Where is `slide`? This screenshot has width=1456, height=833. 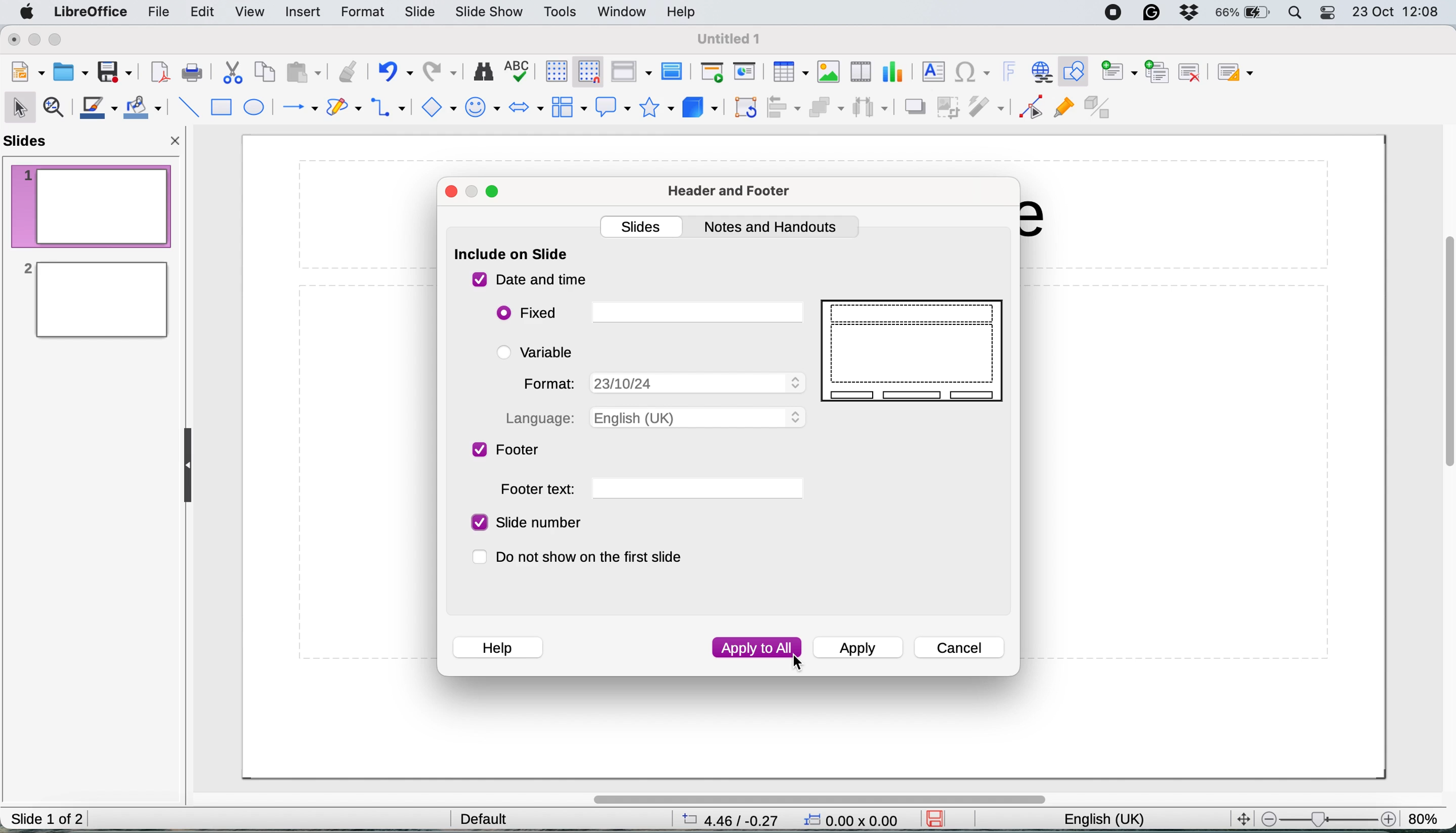 slide is located at coordinates (420, 13).